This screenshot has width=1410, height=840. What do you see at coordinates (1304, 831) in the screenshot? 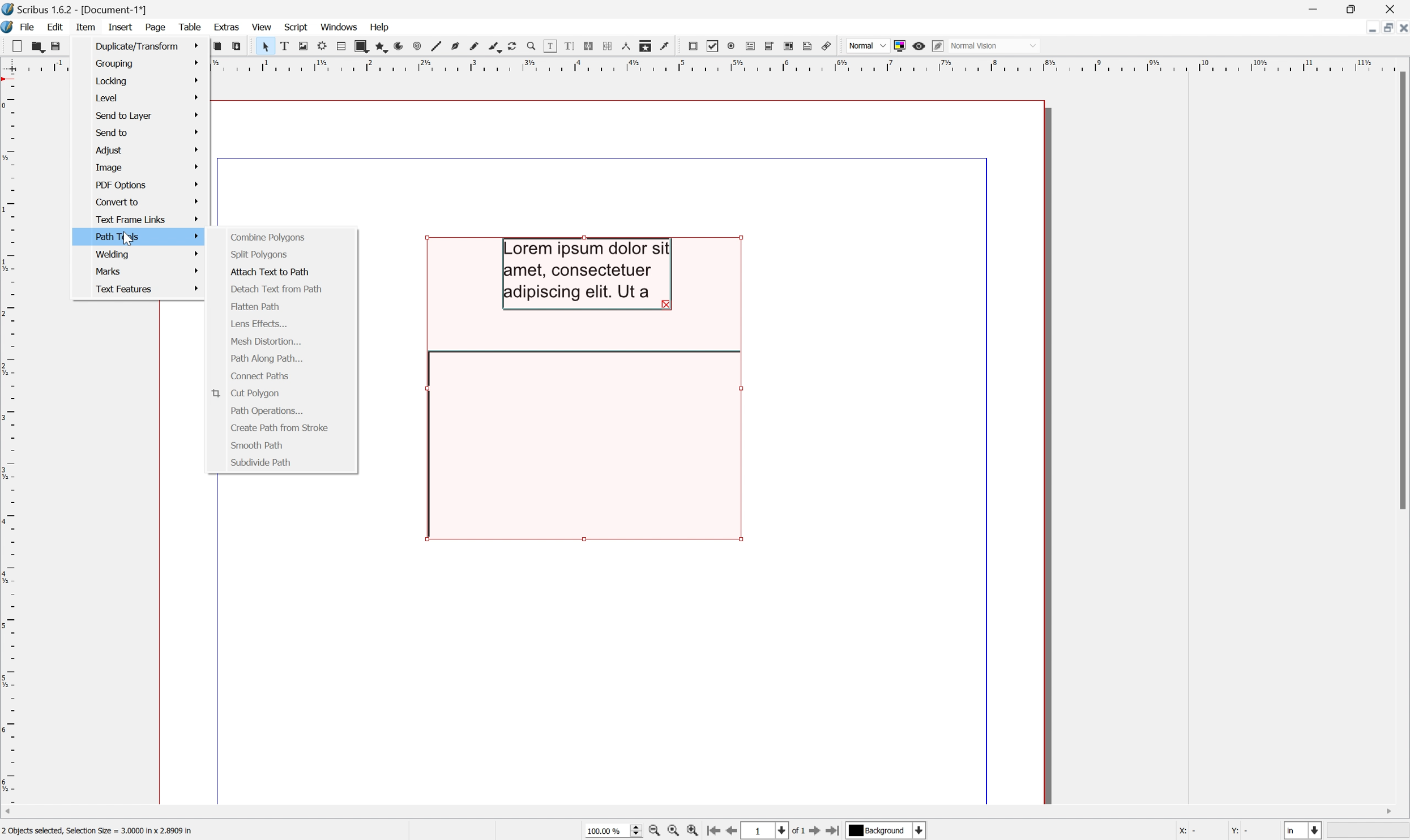
I see `Select the current unit` at bounding box center [1304, 831].